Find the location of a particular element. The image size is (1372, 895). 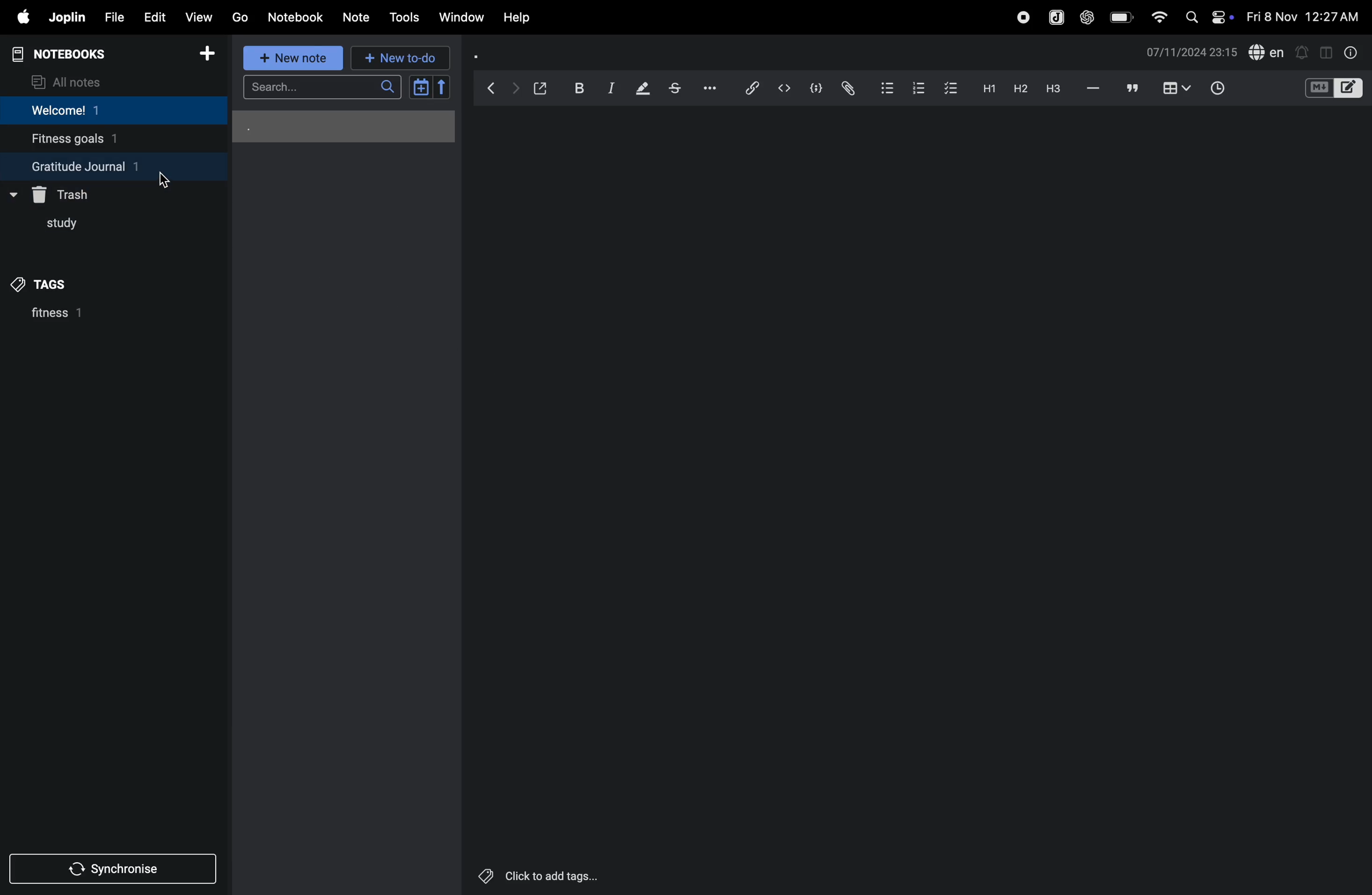

synchronise is located at coordinates (108, 871).